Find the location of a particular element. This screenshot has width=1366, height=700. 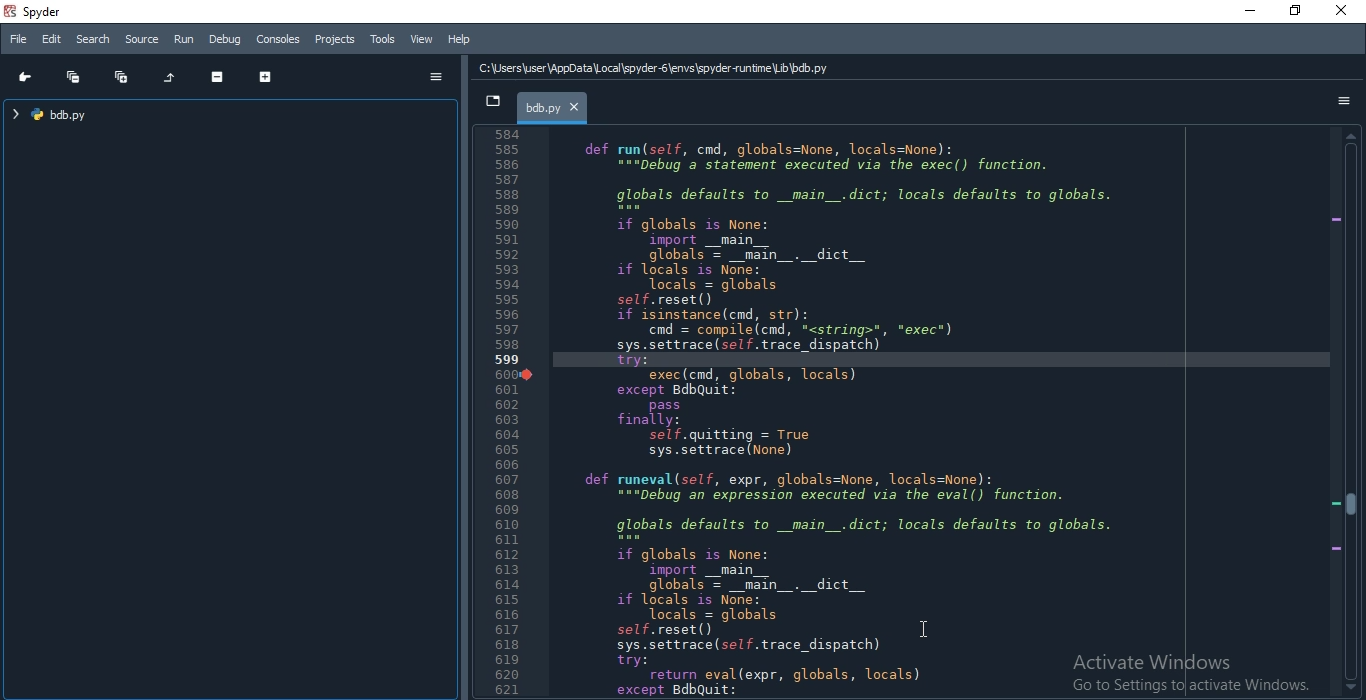

adjust pane is located at coordinates (464, 375).